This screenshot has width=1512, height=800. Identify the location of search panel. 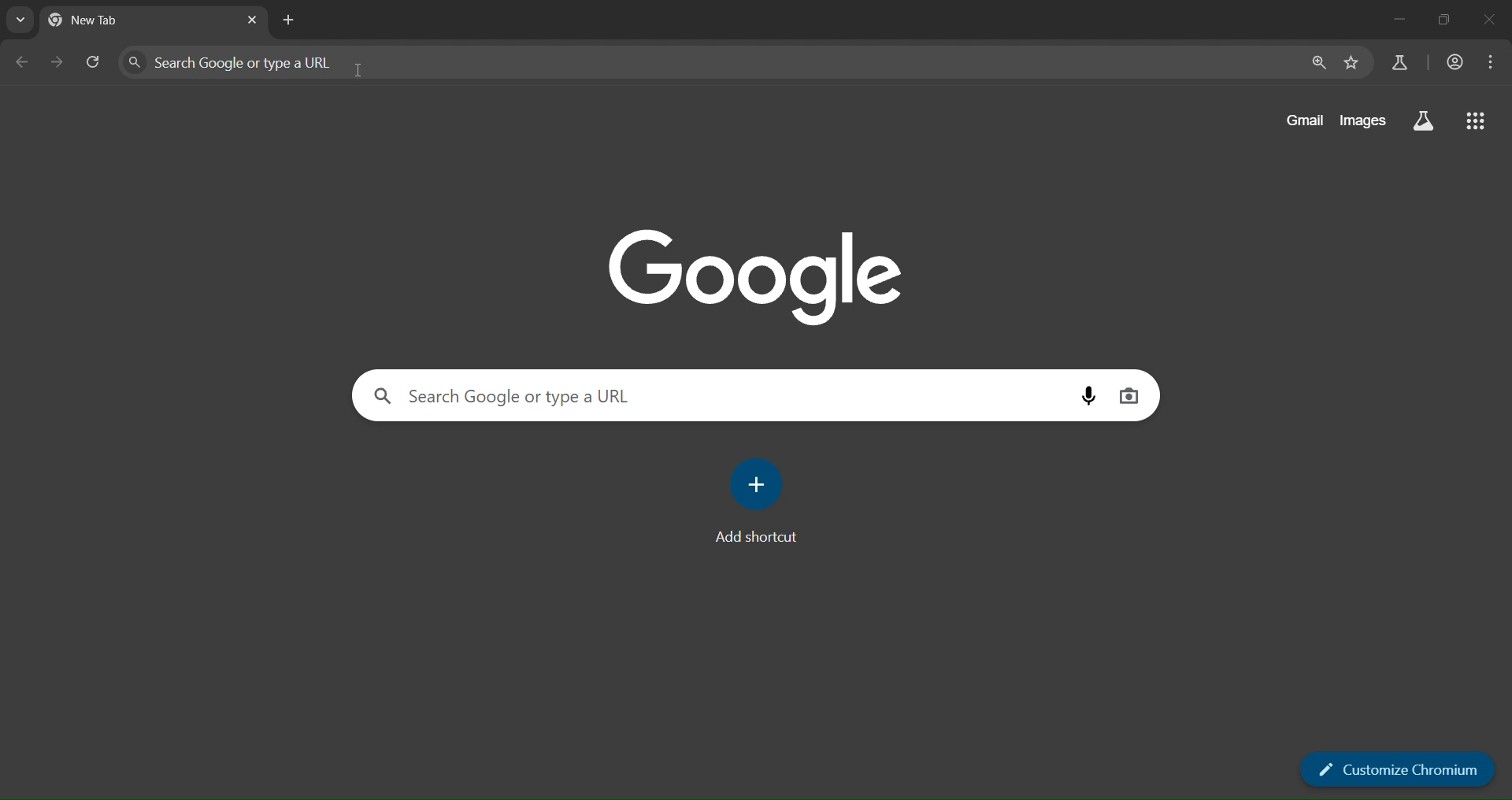
(263, 63).